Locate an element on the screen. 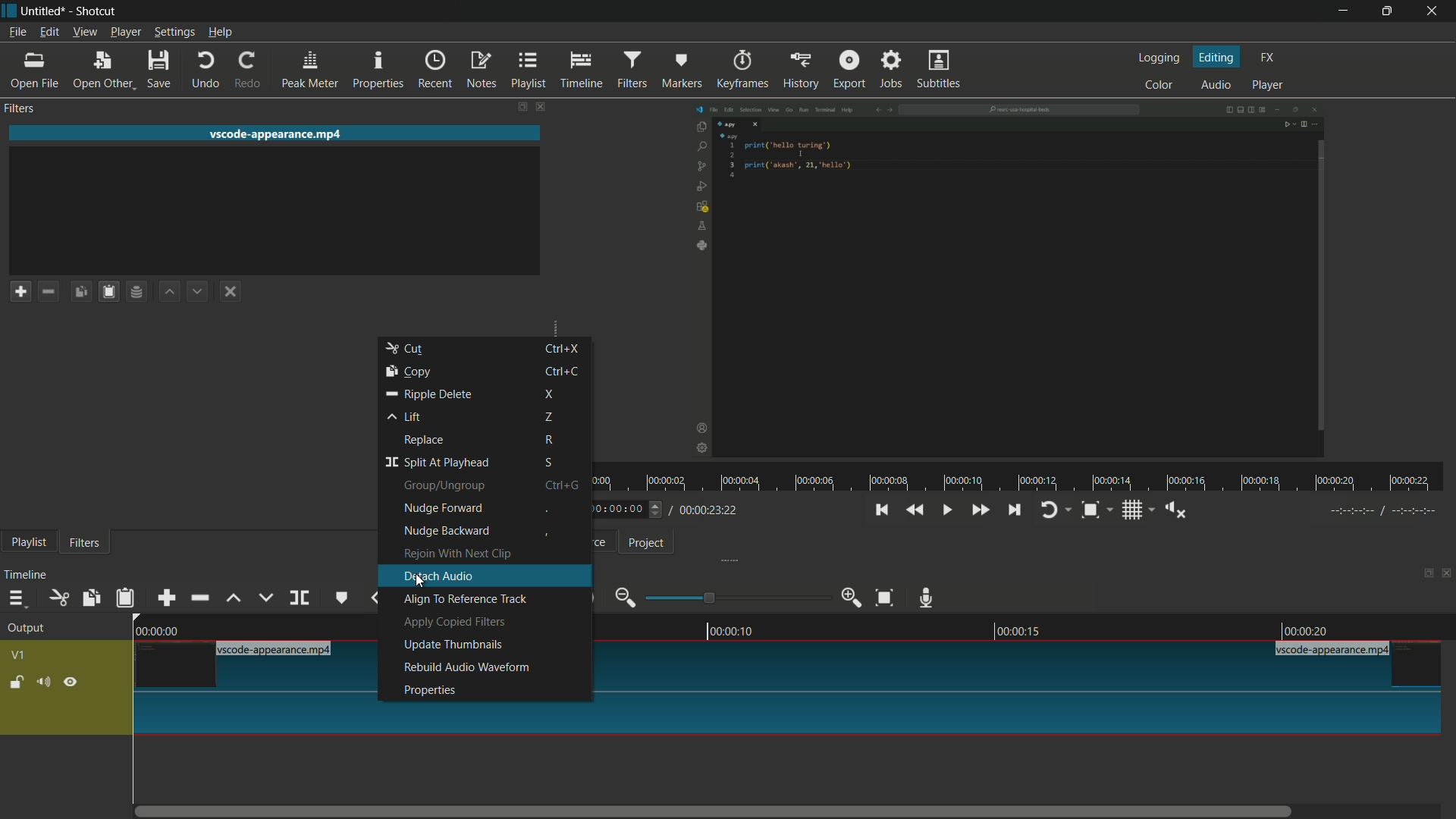 This screenshot has height=819, width=1456. project name is located at coordinates (45, 12).